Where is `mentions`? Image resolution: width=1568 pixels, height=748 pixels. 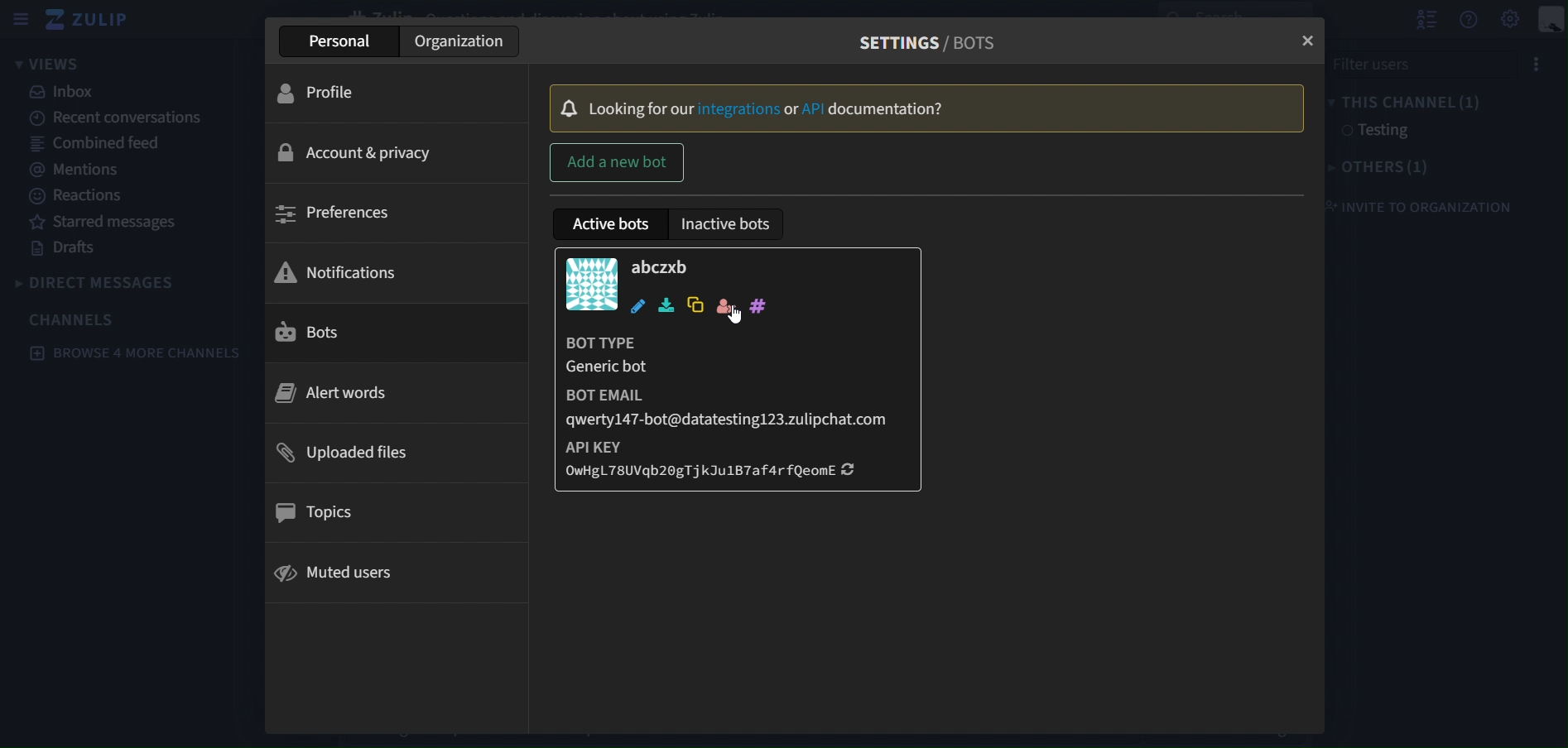
mentions is located at coordinates (73, 170).